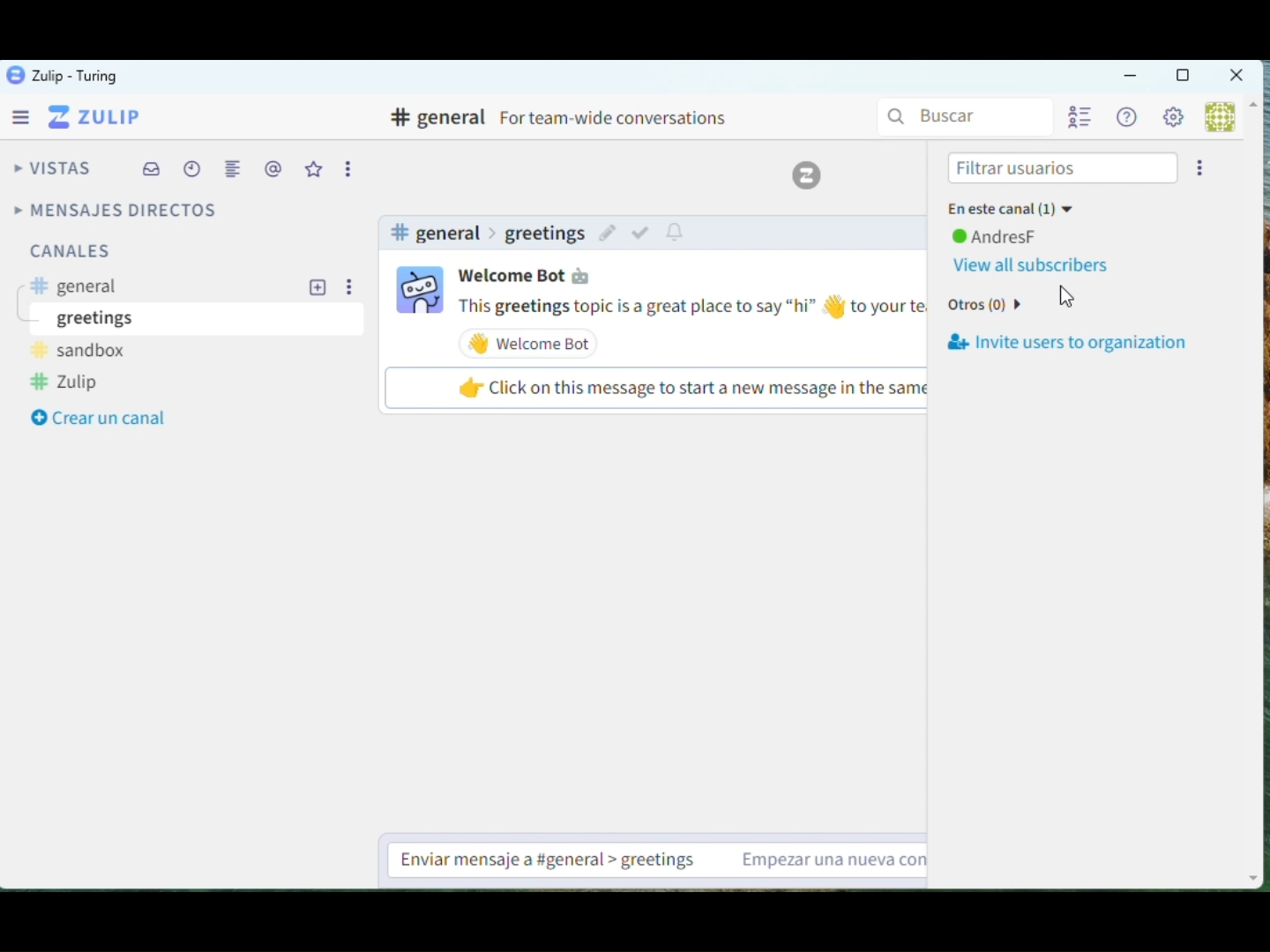  What do you see at coordinates (99, 120) in the screenshot?
I see `Zulip` at bounding box center [99, 120].